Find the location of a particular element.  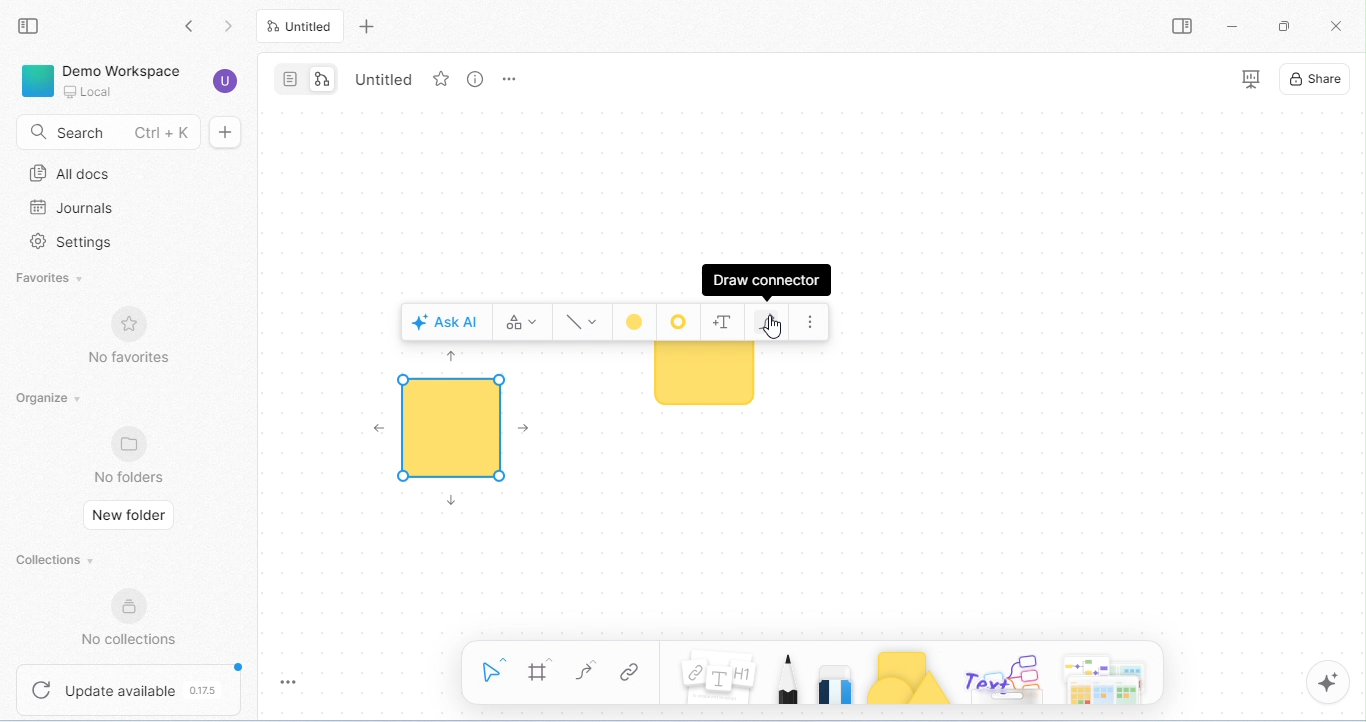

favorites is located at coordinates (47, 281).